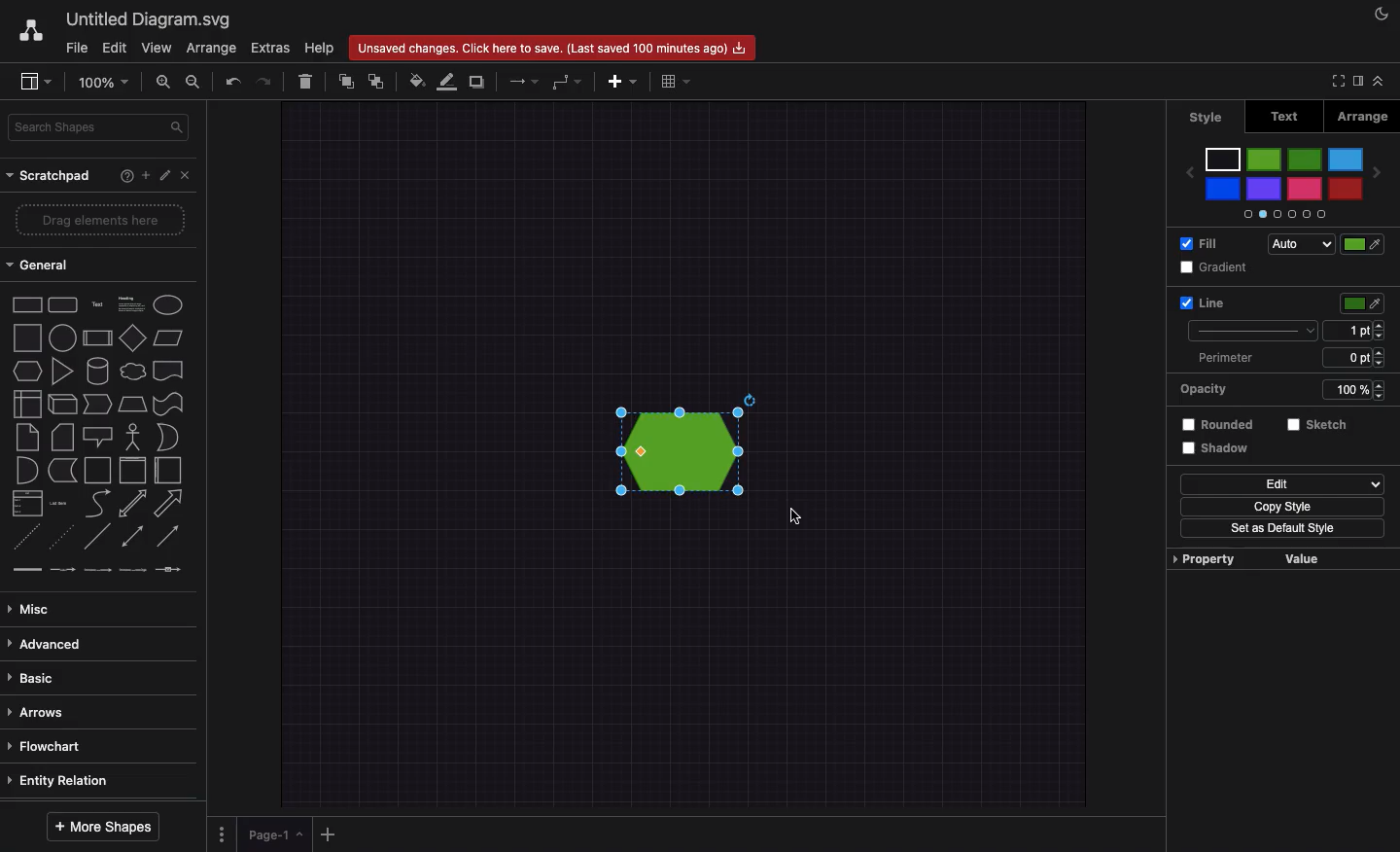  Describe the element at coordinates (479, 82) in the screenshot. I see `Duplicate` at that location.